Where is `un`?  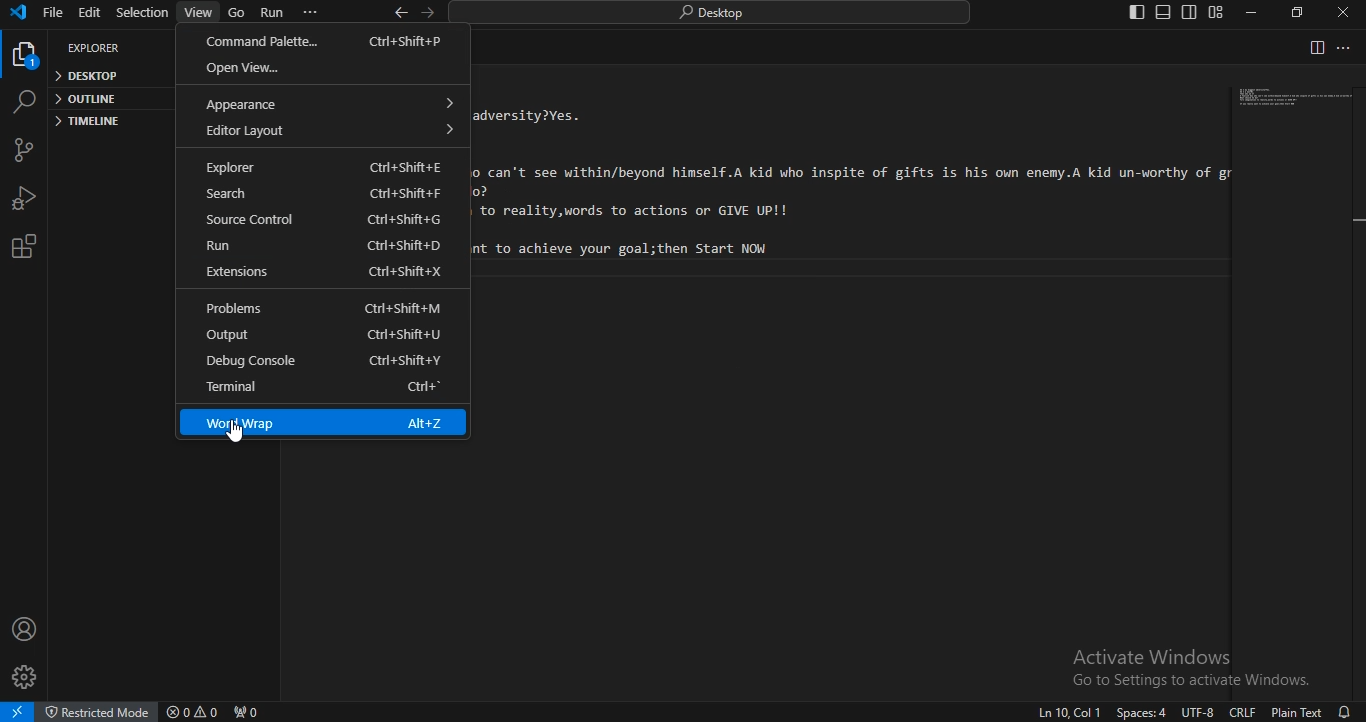 un is located at coordinates (328, 246).